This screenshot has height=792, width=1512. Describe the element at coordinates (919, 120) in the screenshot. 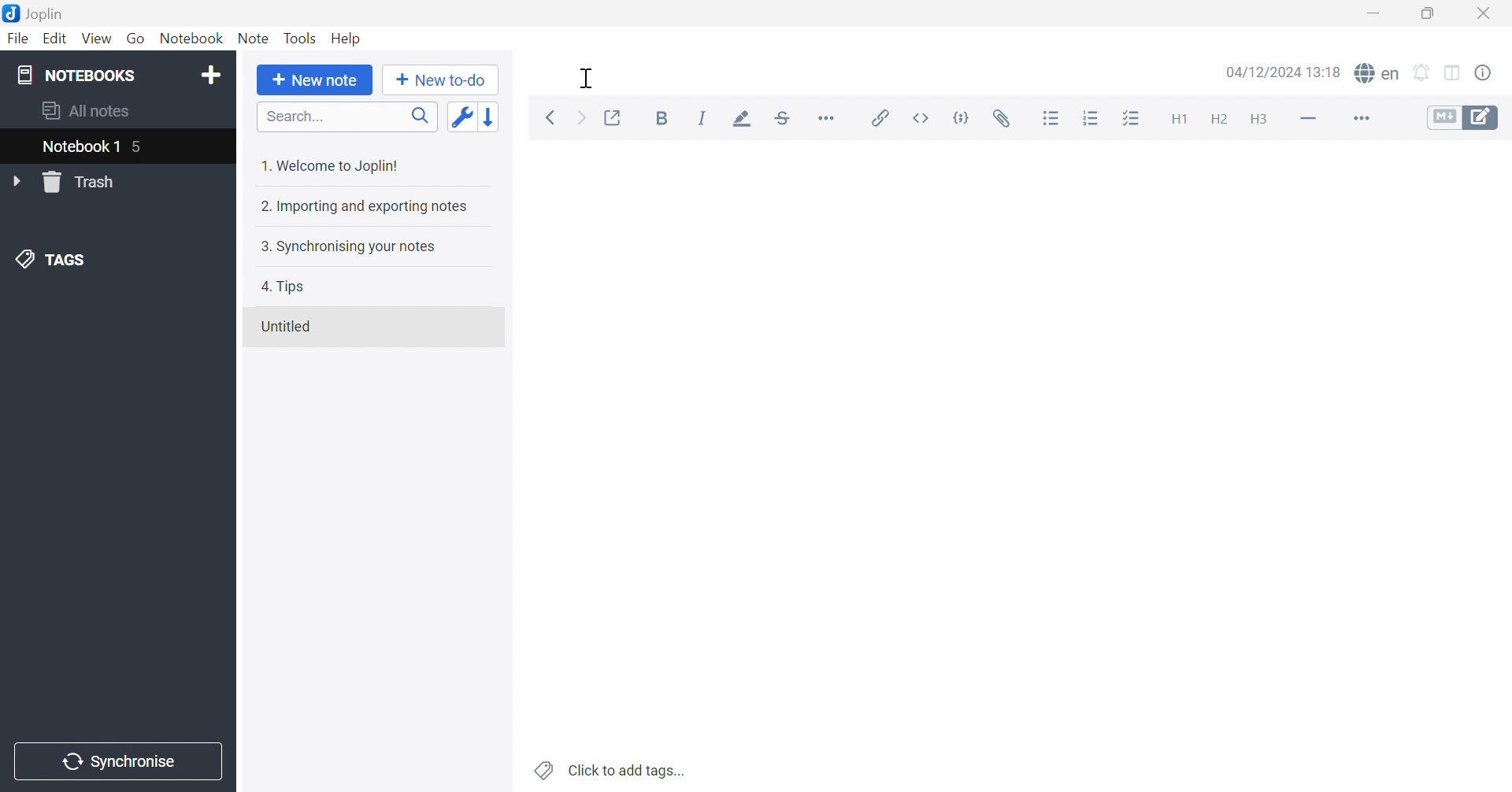

I see `Inline code` at that location.